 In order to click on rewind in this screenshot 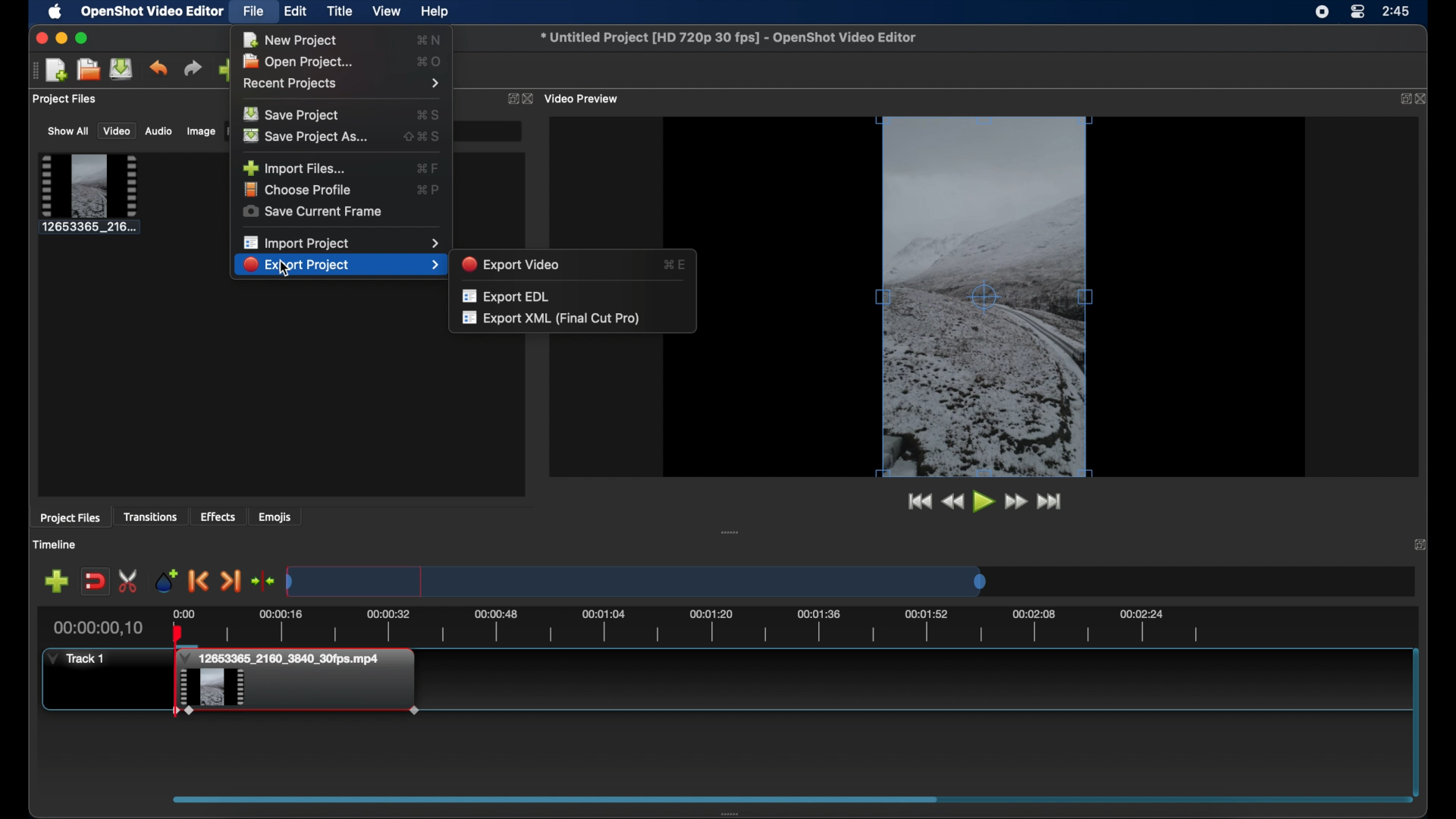, I will do `click(953, 501)`.